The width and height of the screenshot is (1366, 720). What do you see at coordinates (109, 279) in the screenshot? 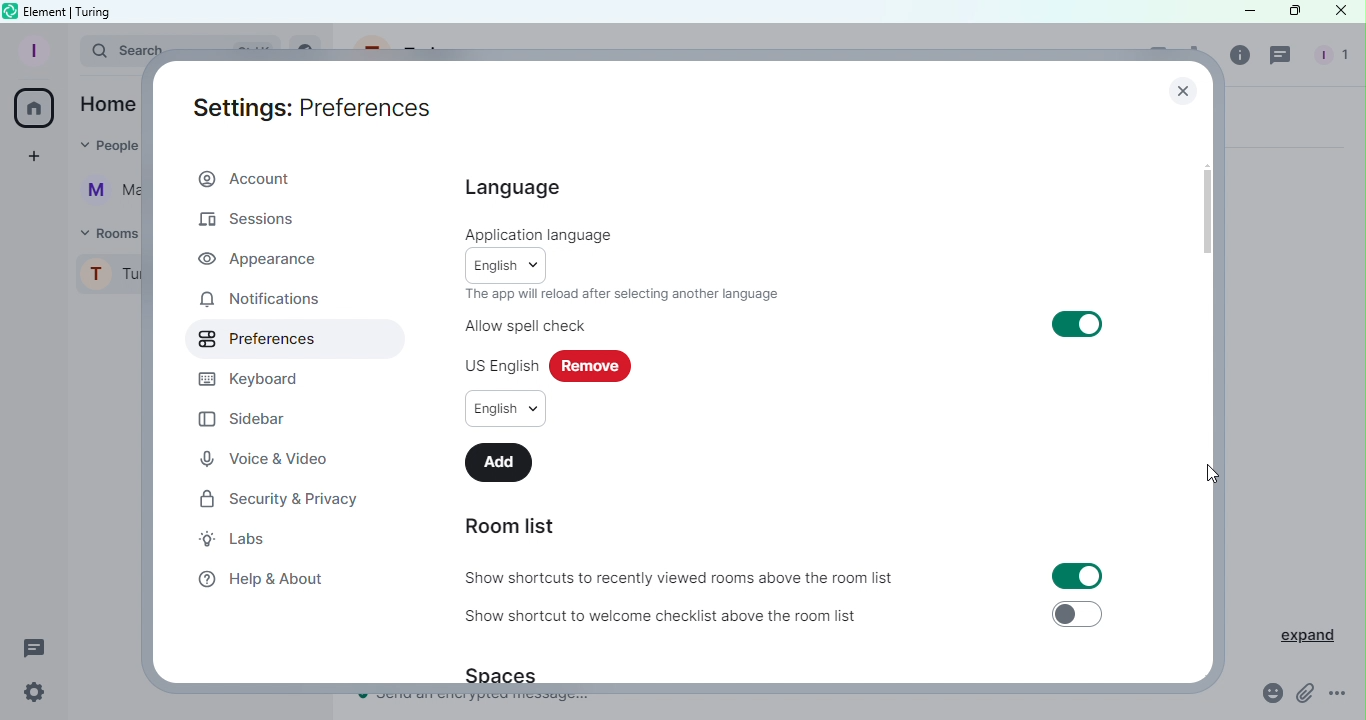
I see `Turing` at bounding box center [109, 279].